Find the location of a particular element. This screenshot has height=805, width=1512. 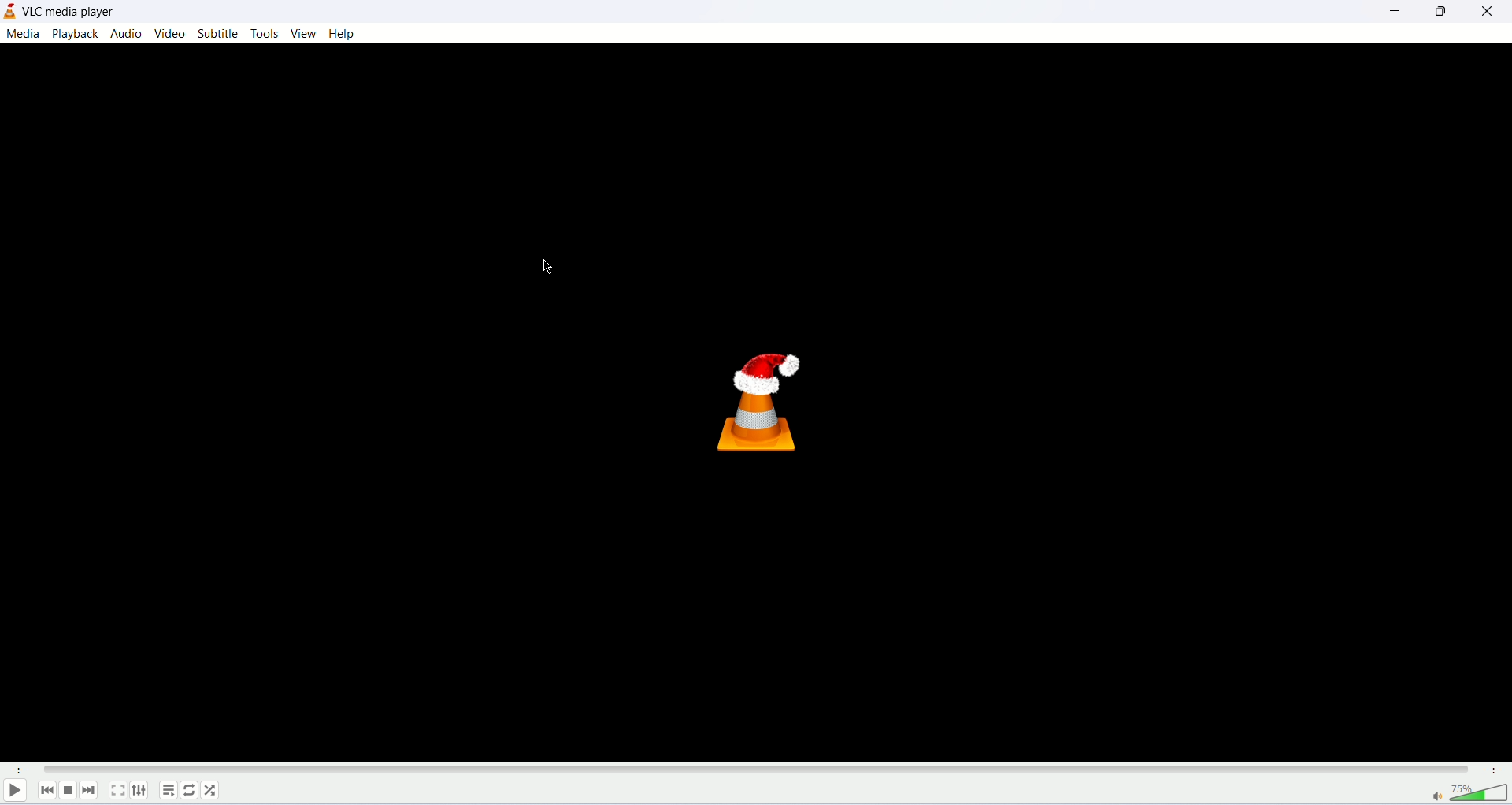

view is located at coordinates (303, 34).